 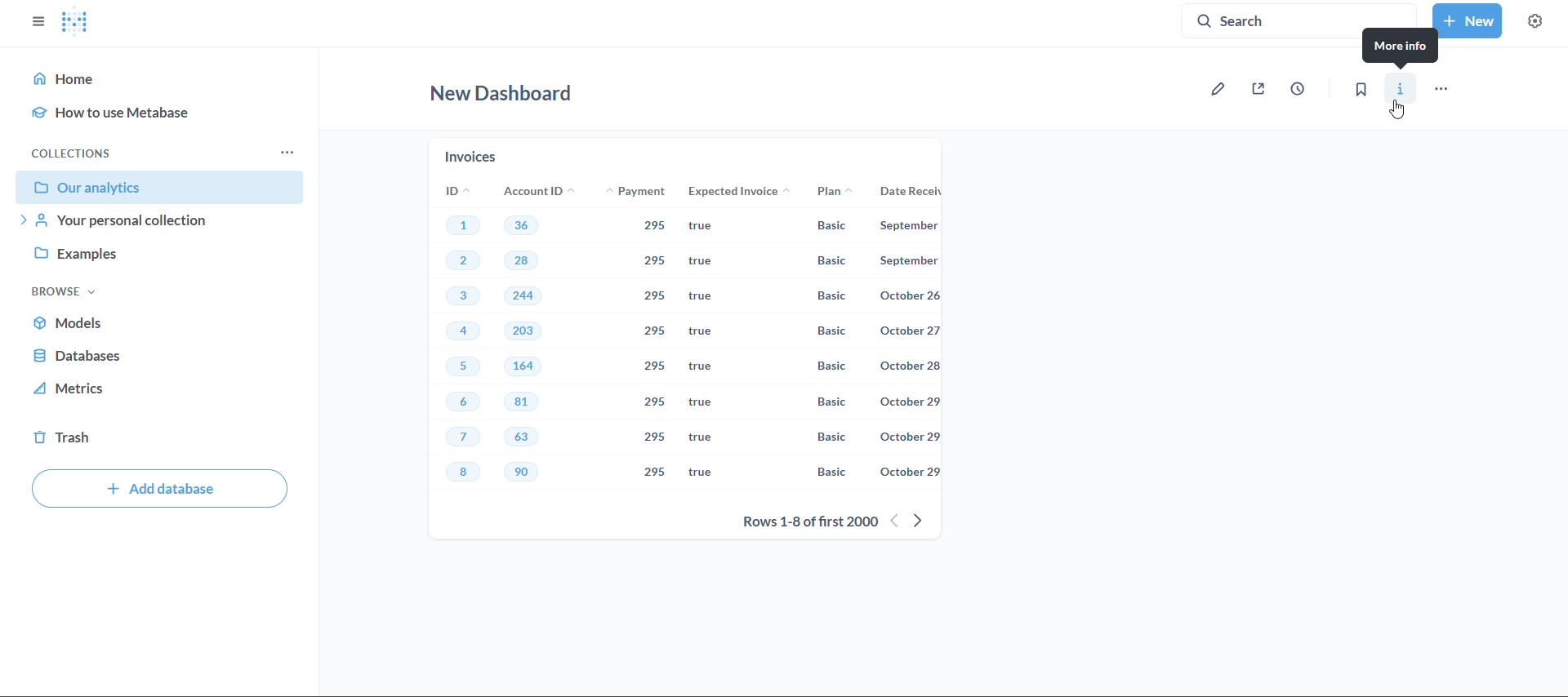 What do you see at coordinates (920, 228) in the screenshot?
I see `September` at bounding box center [920, 228].